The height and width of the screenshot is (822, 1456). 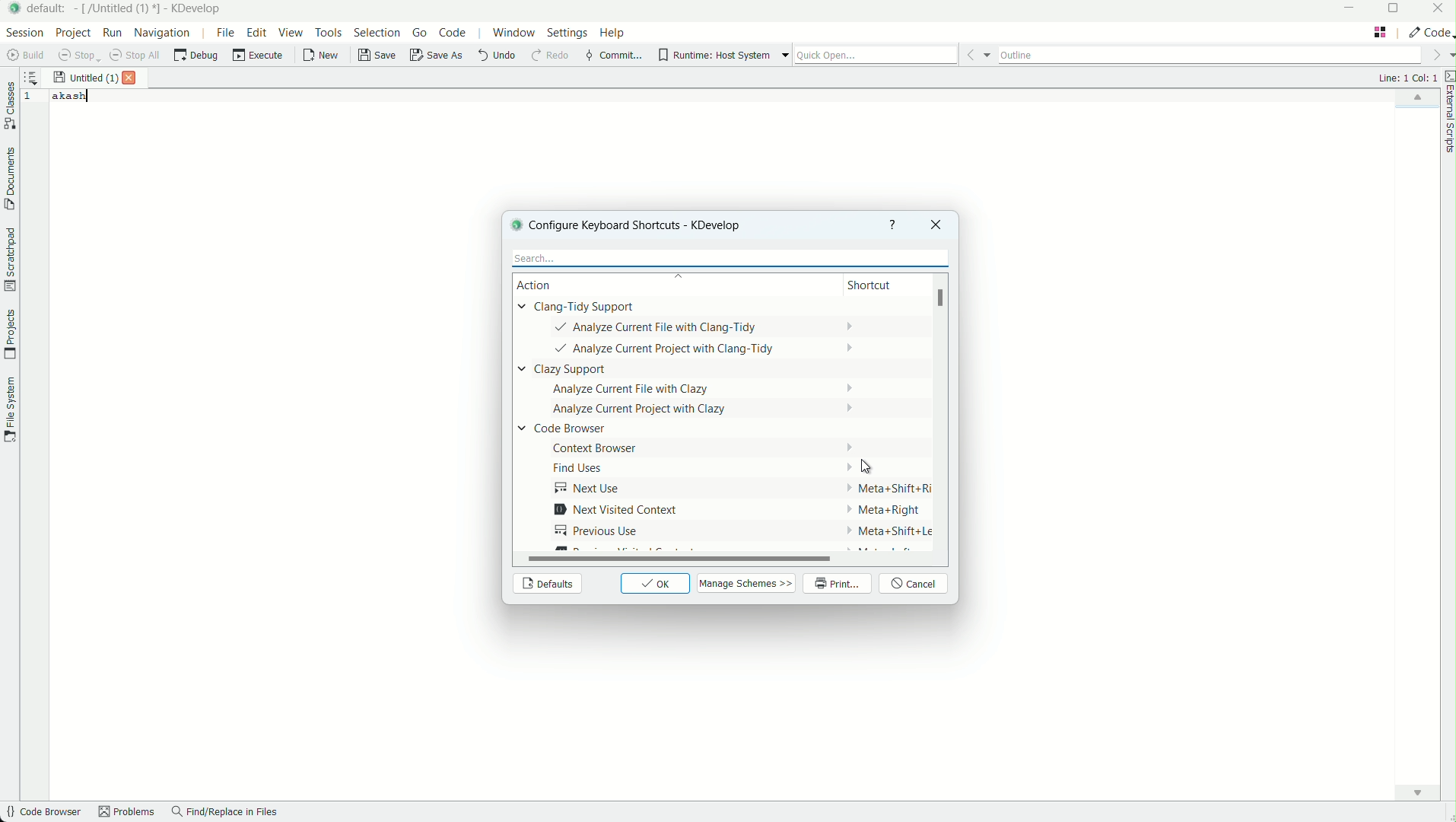 I want to click on runtime host system, so click(x=714, y=56).